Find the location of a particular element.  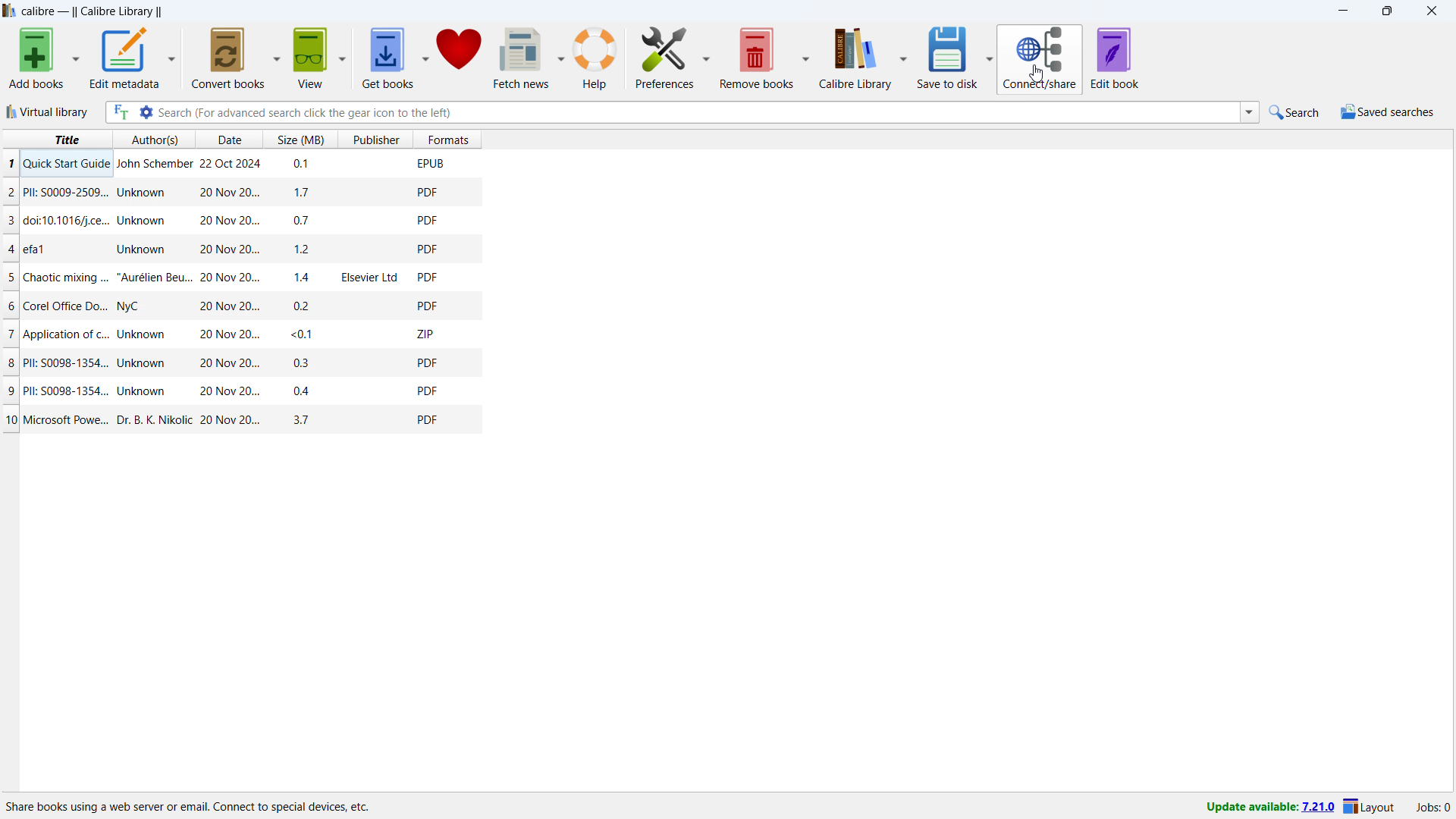

help is located at coordinates (596, 57).